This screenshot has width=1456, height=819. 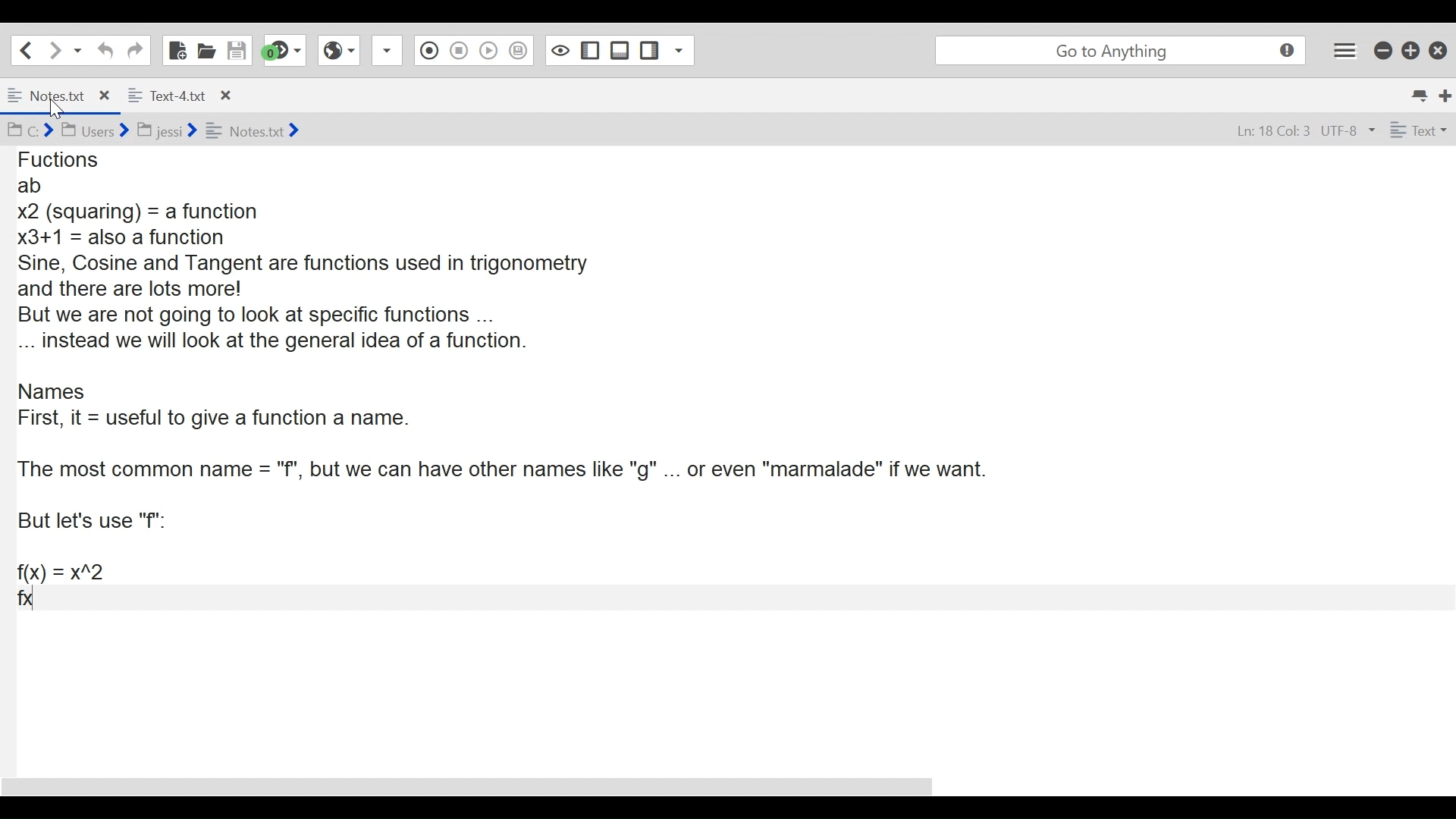 What do you see at coordinates (588, 50) in the screenshot?
I see `Show/Hide Left Pane` at bounding box center [588, 50].